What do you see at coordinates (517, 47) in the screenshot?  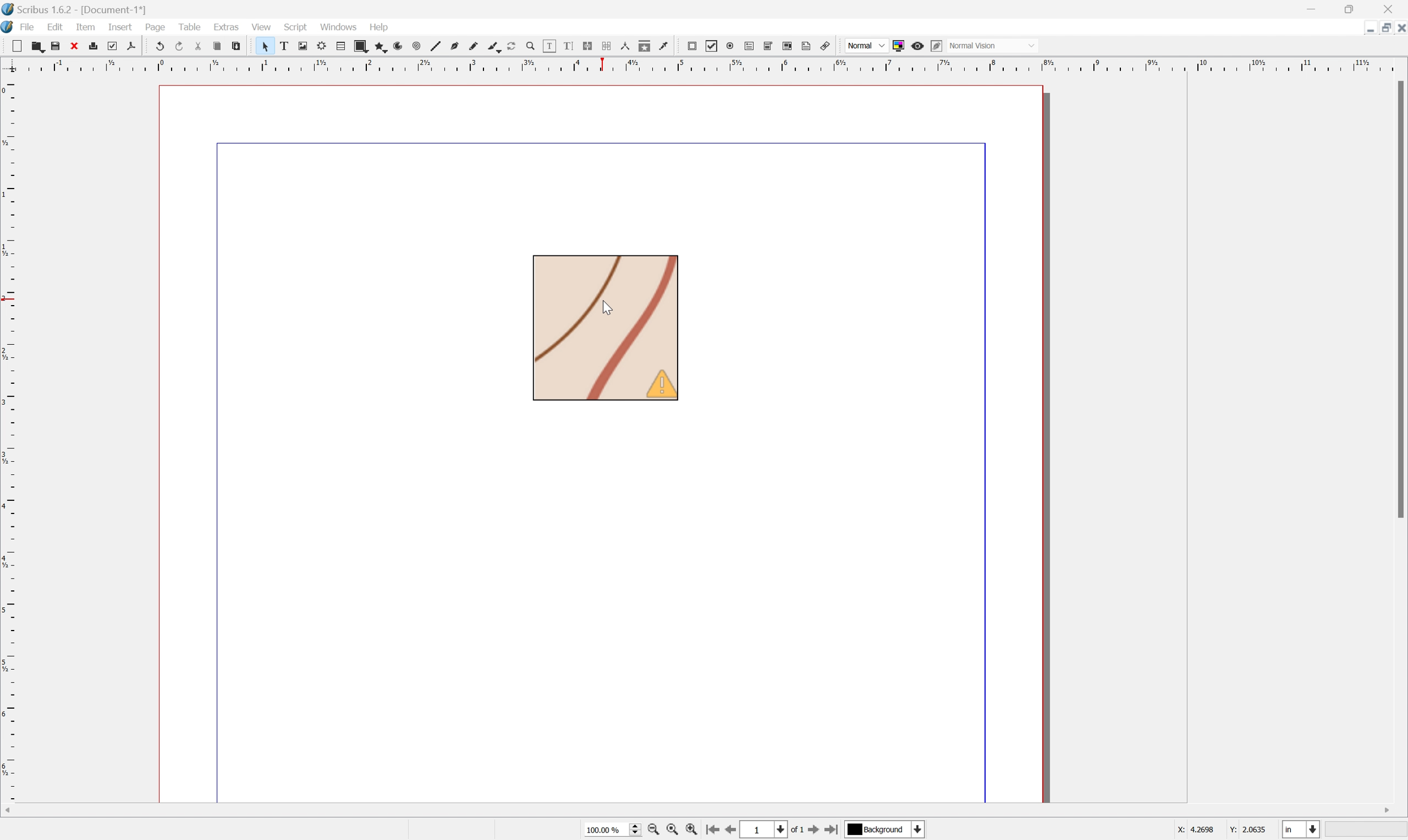 I see `Rotate item` at bounding box center [517, 47].